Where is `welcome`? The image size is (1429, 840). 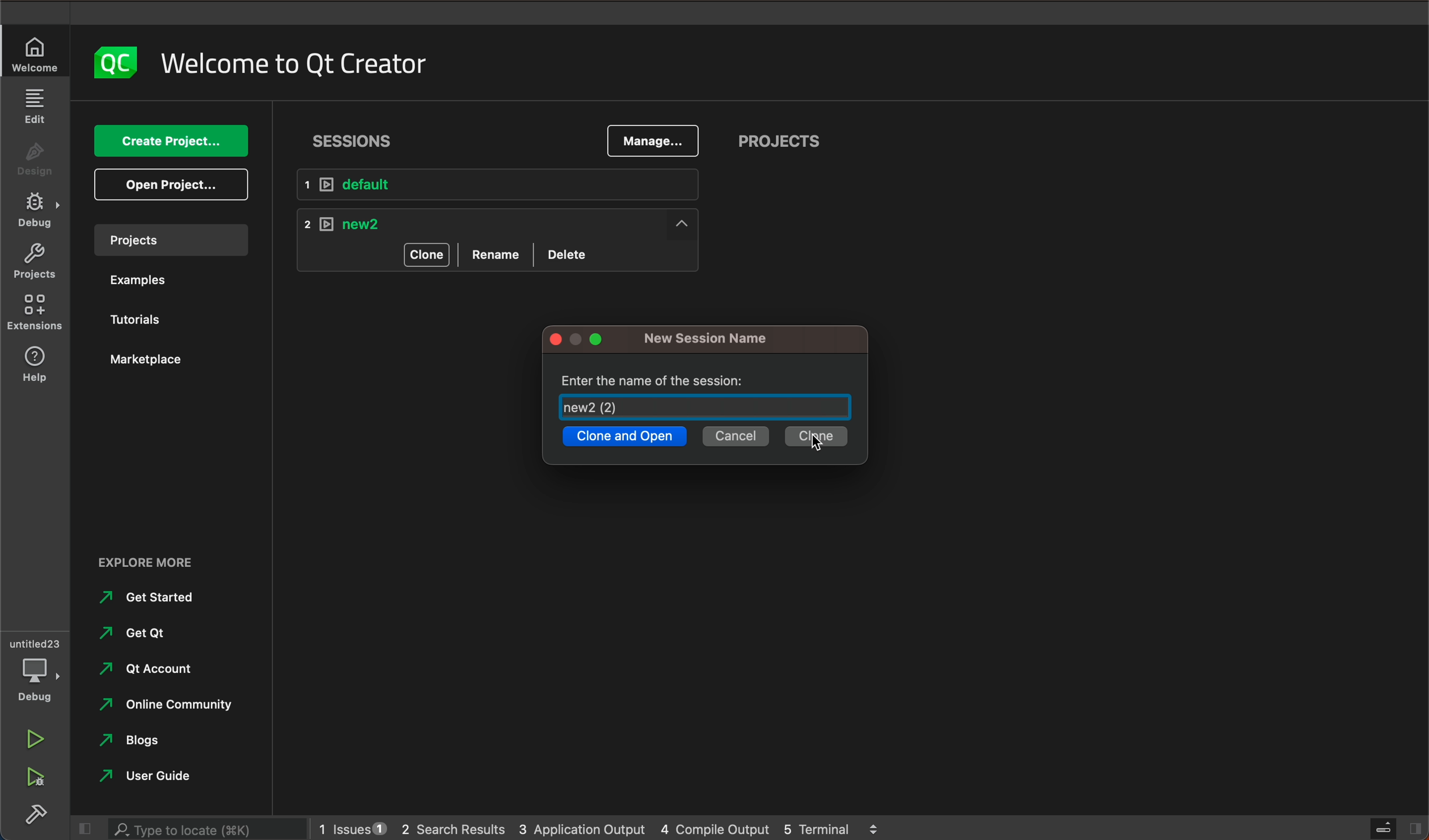 welcome is located at coordinates (33, 55).